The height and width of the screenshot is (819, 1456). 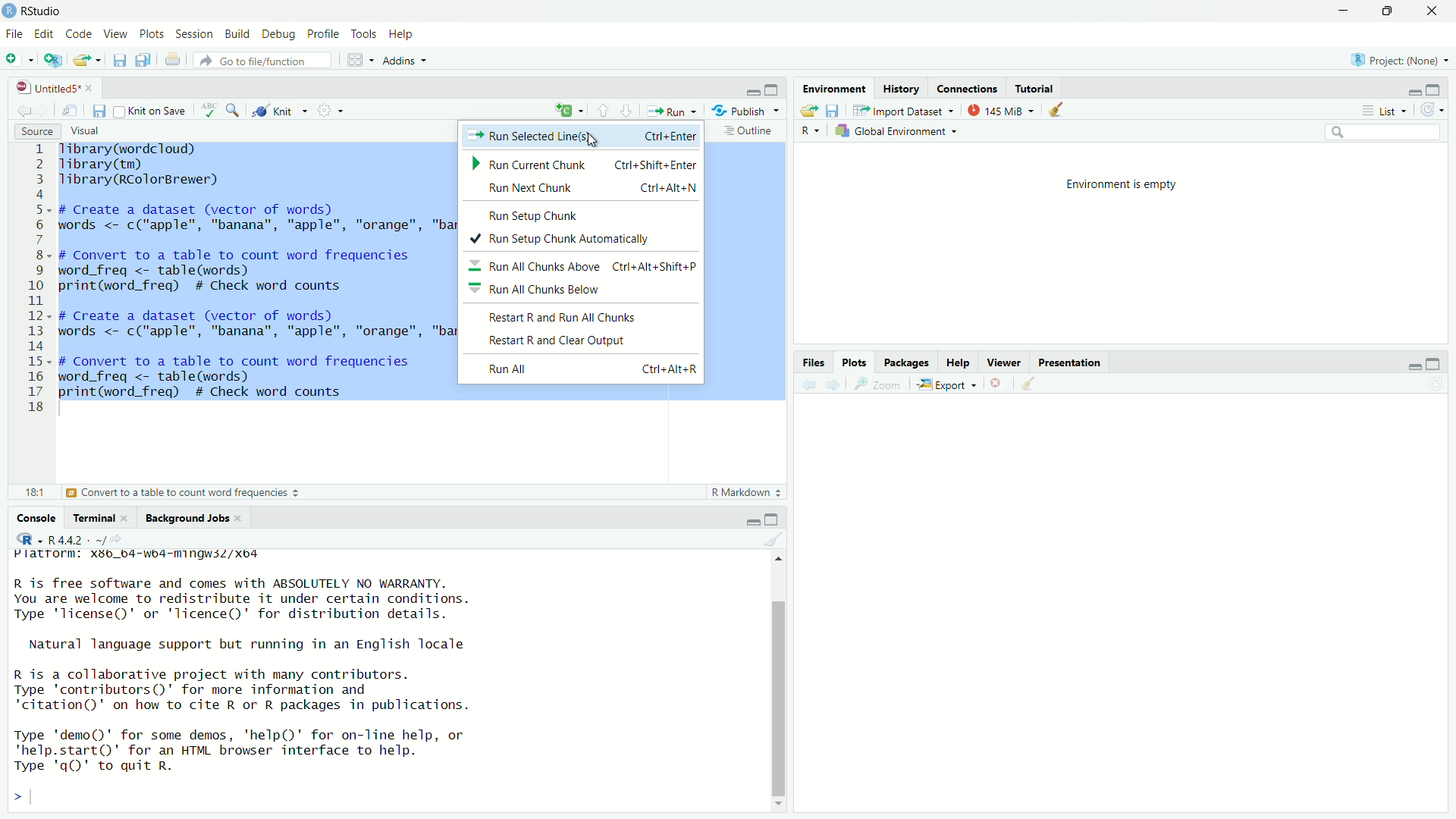 I want to click on R, so click(x=811, y=133).